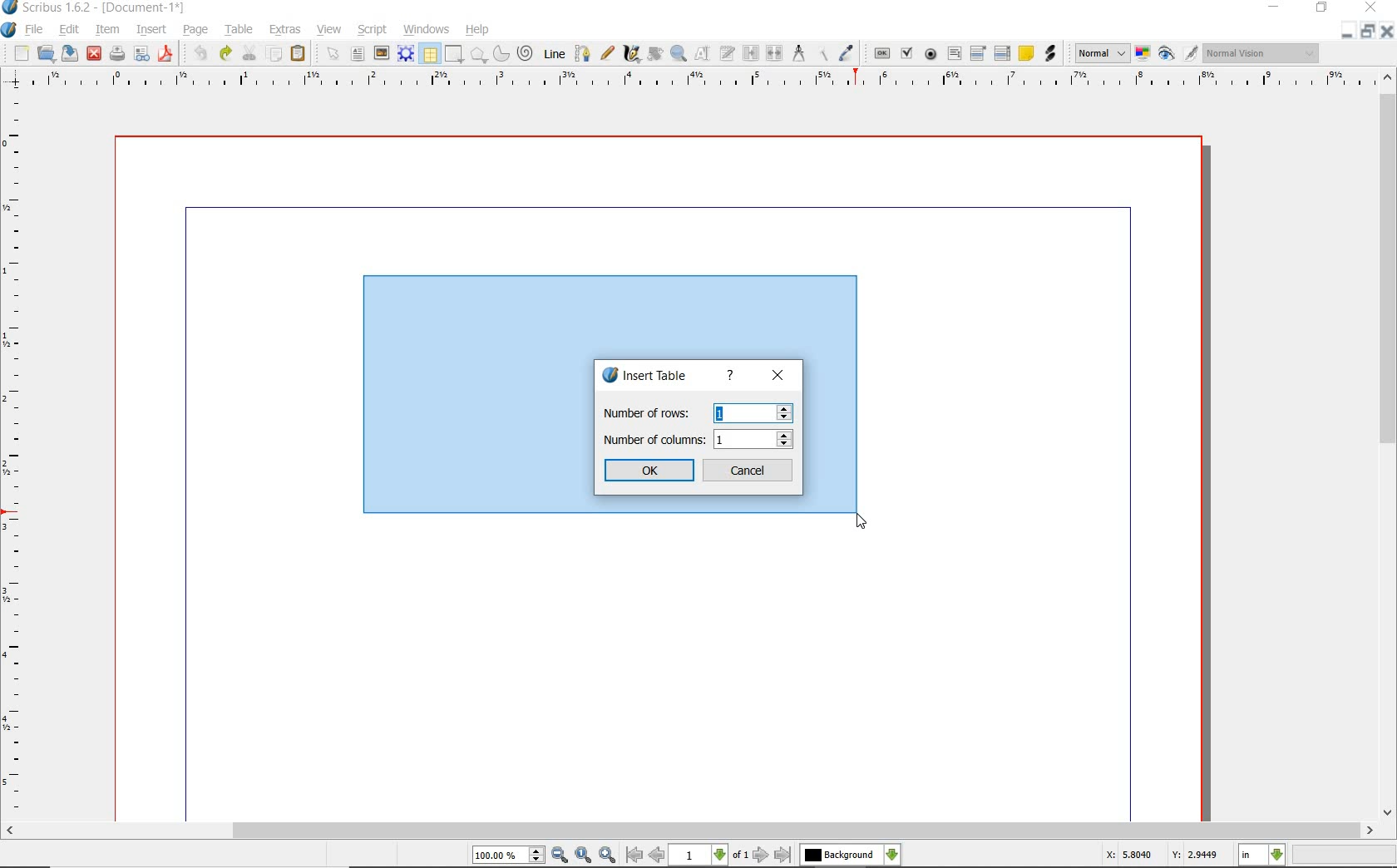 The width and height of the screenshot is (1397, 868). What do you see at coordinates (749, 471) in the screenshot?
I see `cancel` at bounding box center [749, 471].